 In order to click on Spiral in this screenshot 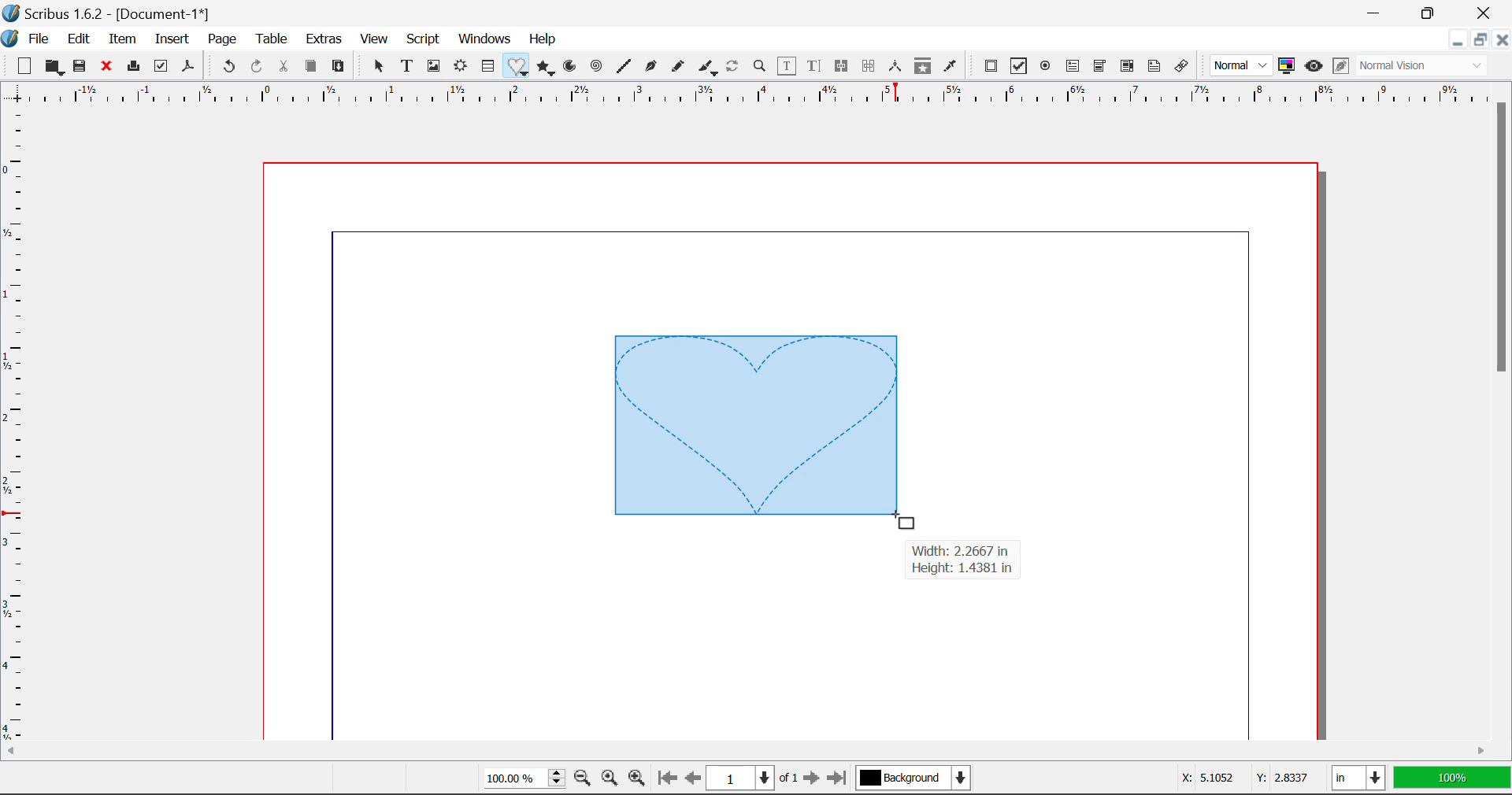, I will do `click(597, 67)`.